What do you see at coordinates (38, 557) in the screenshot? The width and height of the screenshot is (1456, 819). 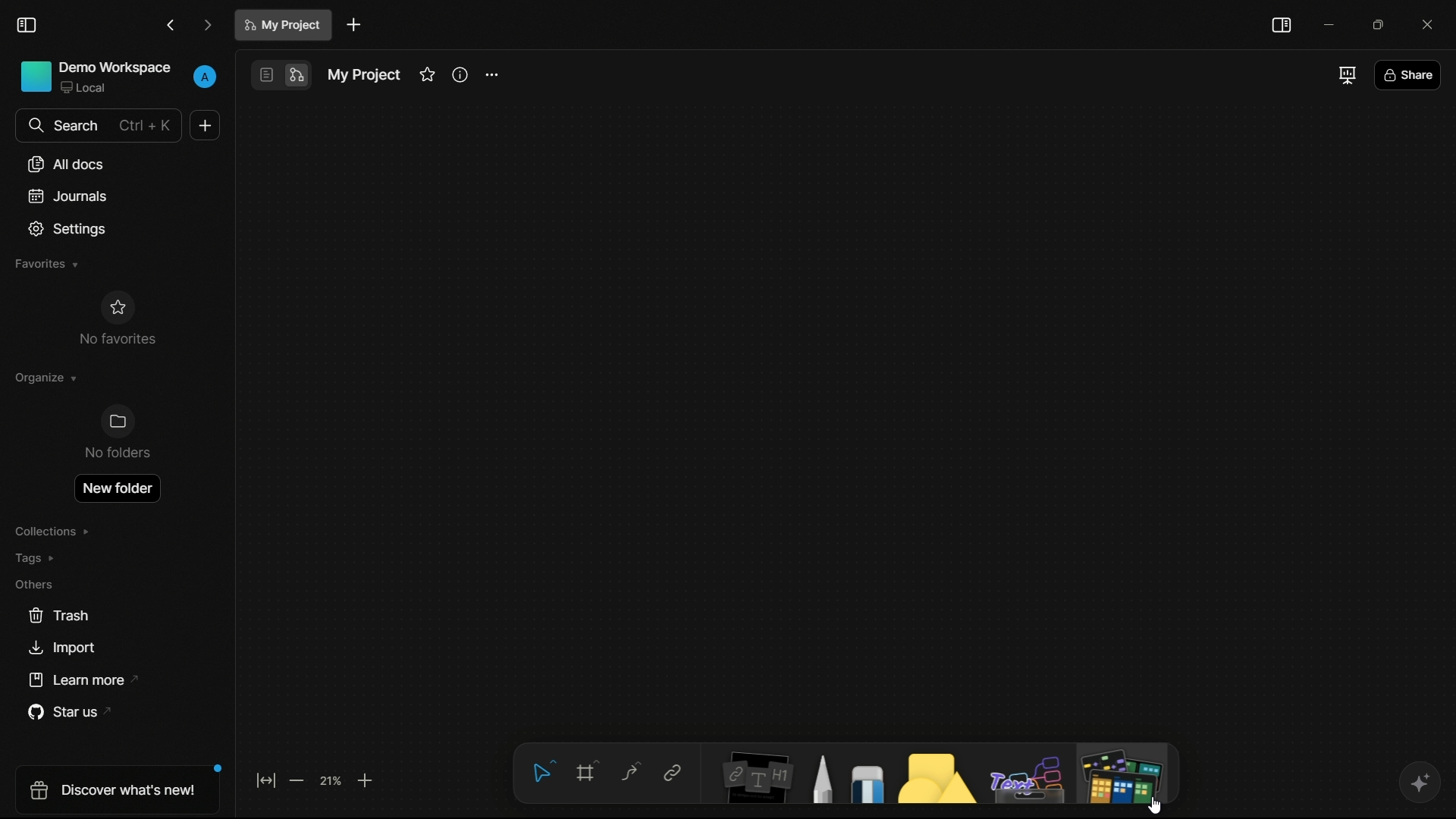 I see `tags` at bounding box center [38, 557].